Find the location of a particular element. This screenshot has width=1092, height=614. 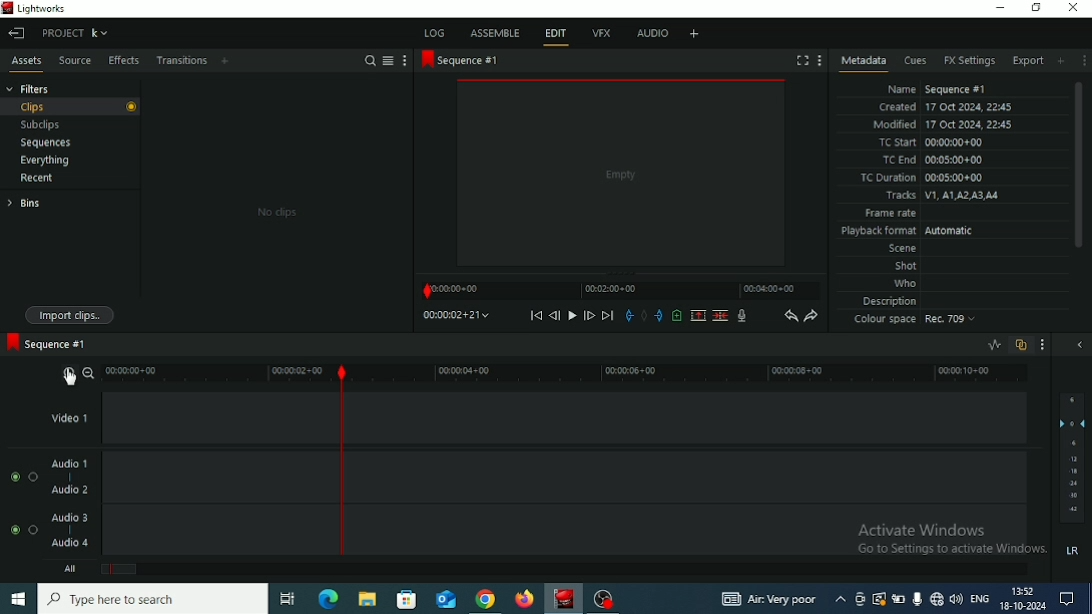

Toggle audio levels editing is located at coordinates (993, 345).